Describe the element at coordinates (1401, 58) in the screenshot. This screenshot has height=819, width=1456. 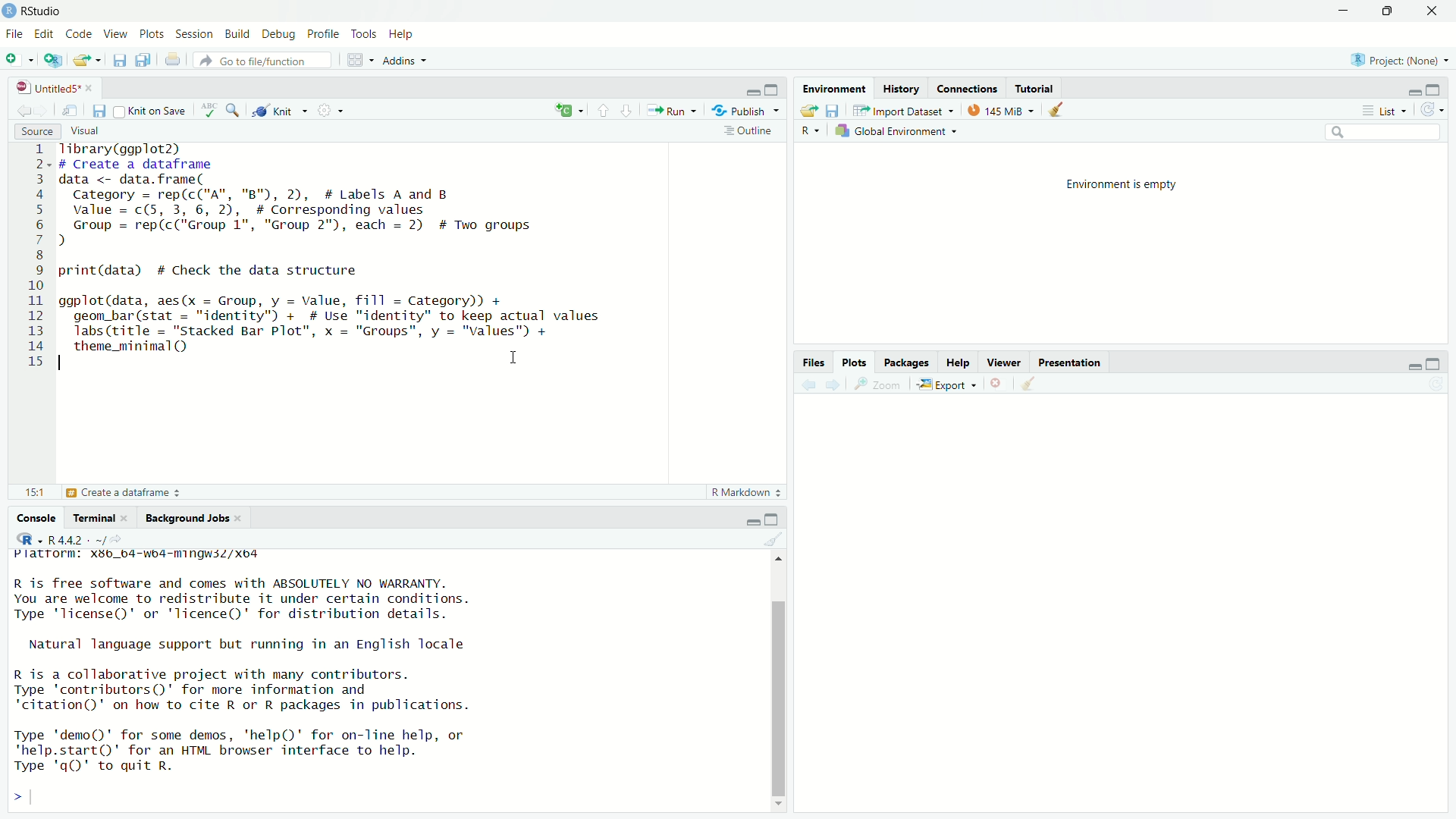
I see `Project (Note)` at that location.